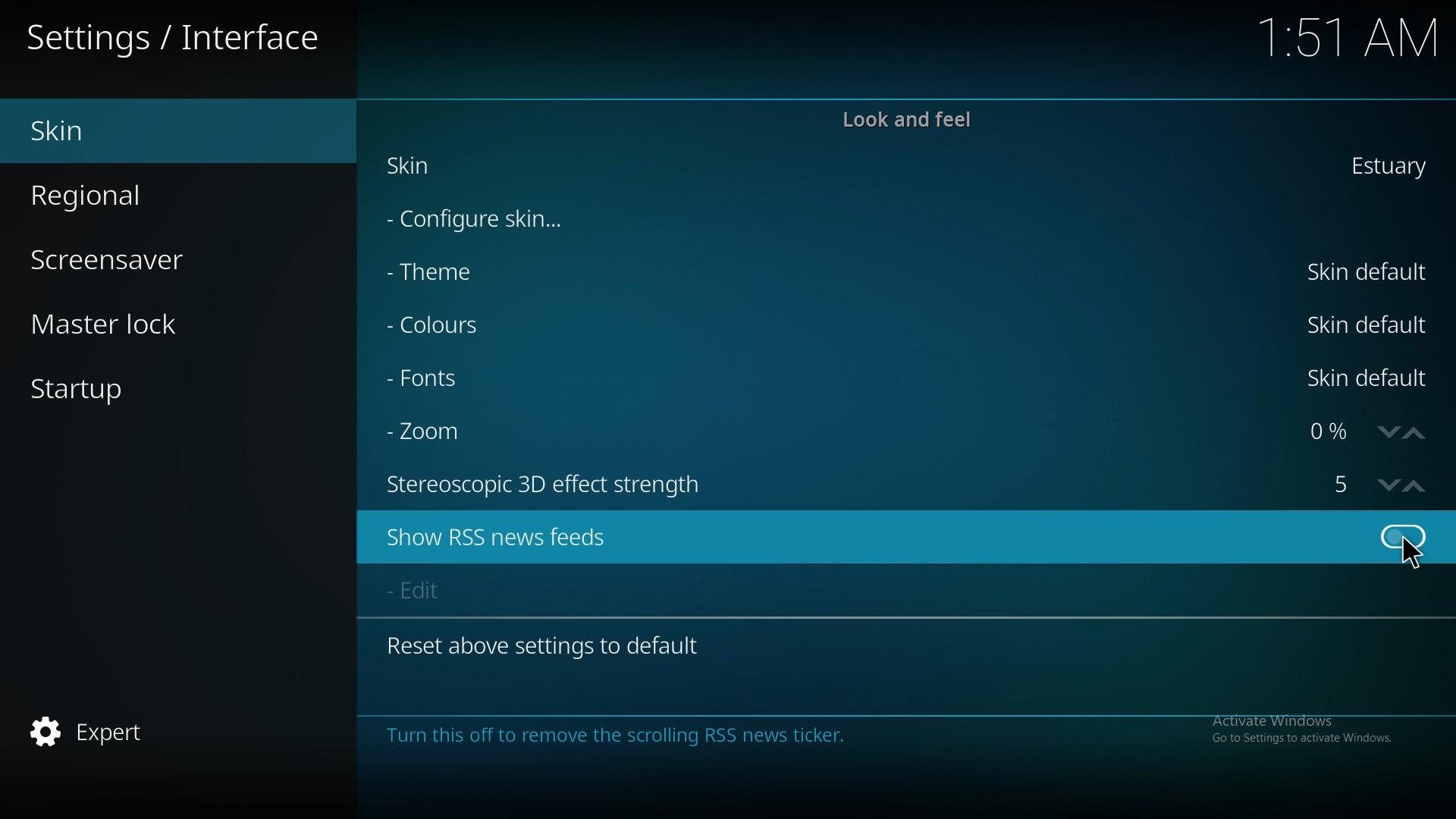  Describe the element at coordinates (1371, 271) in the screenshot. I see `skin default` at that location.